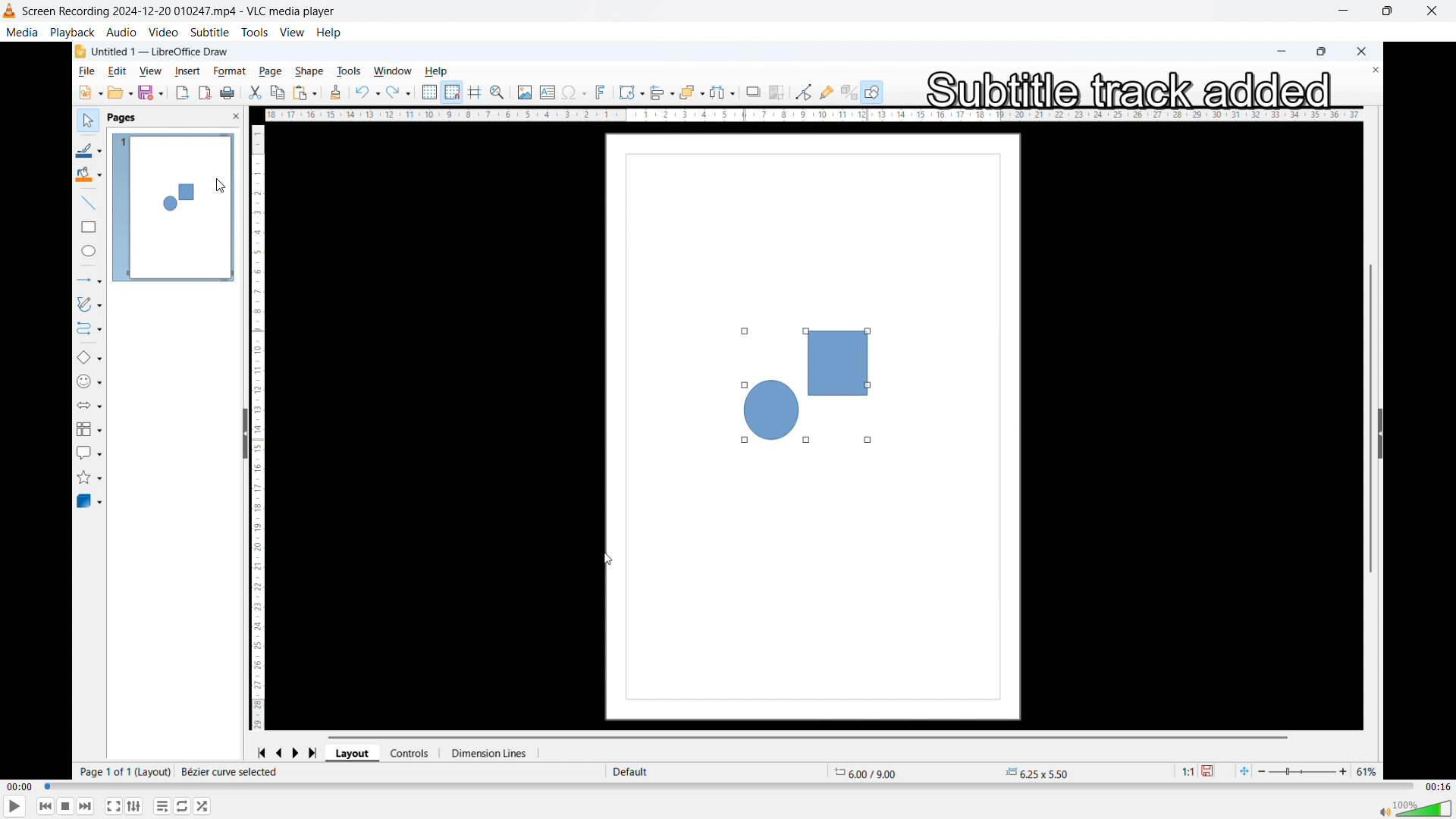 This screenshot has width=1456, height=819. Describe the element at coordinates (173, 208) in the screenshot. I see `page preview` at that location.